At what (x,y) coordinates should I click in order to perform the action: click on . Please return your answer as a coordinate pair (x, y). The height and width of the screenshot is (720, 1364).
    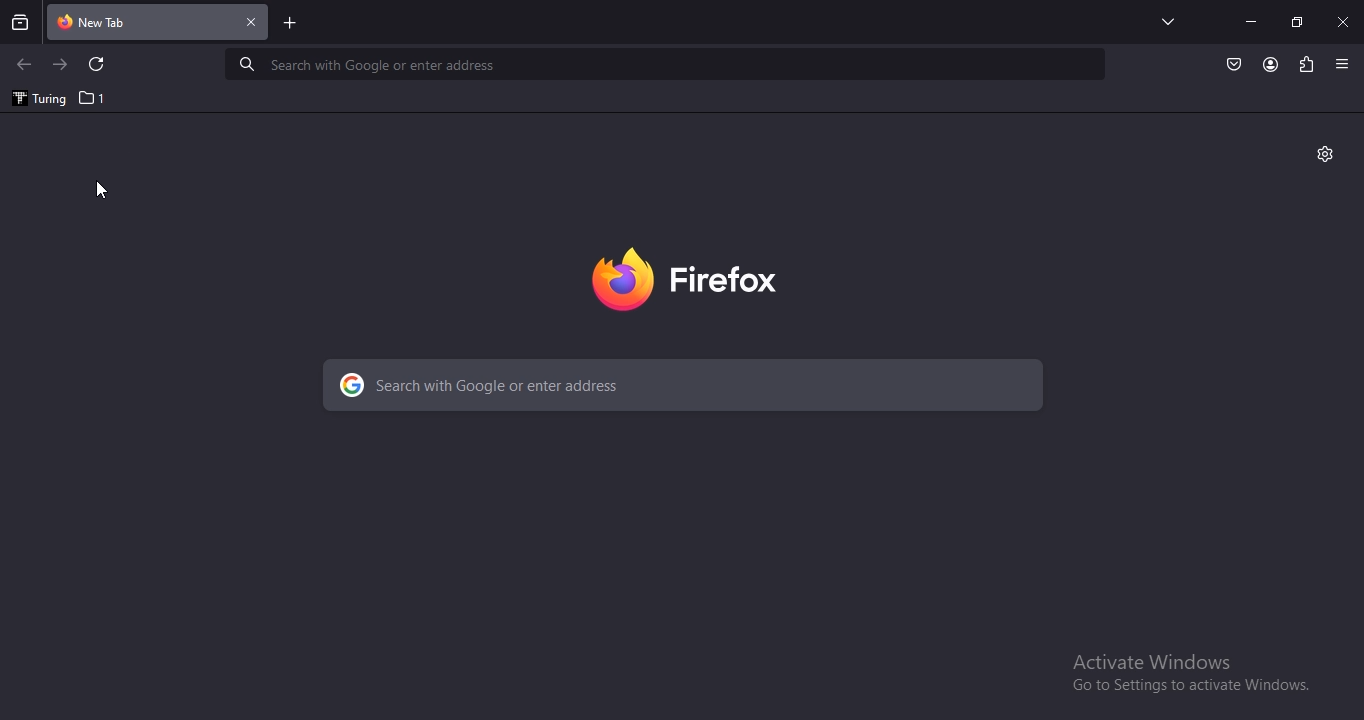
    Looking at the image, I should click on (1234, 65).